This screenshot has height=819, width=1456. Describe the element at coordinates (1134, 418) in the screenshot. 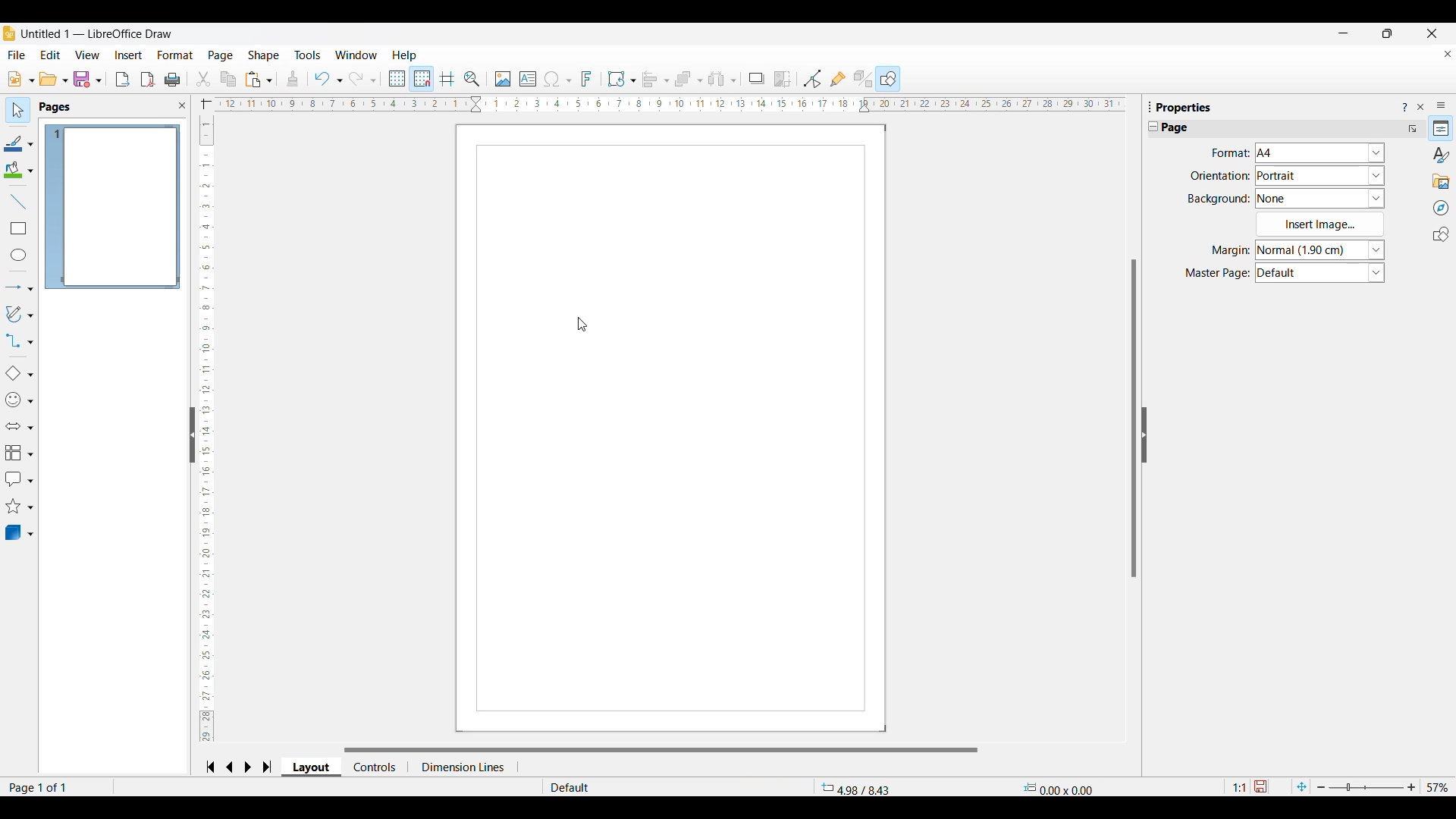

I see `Vertical slider` at that location.